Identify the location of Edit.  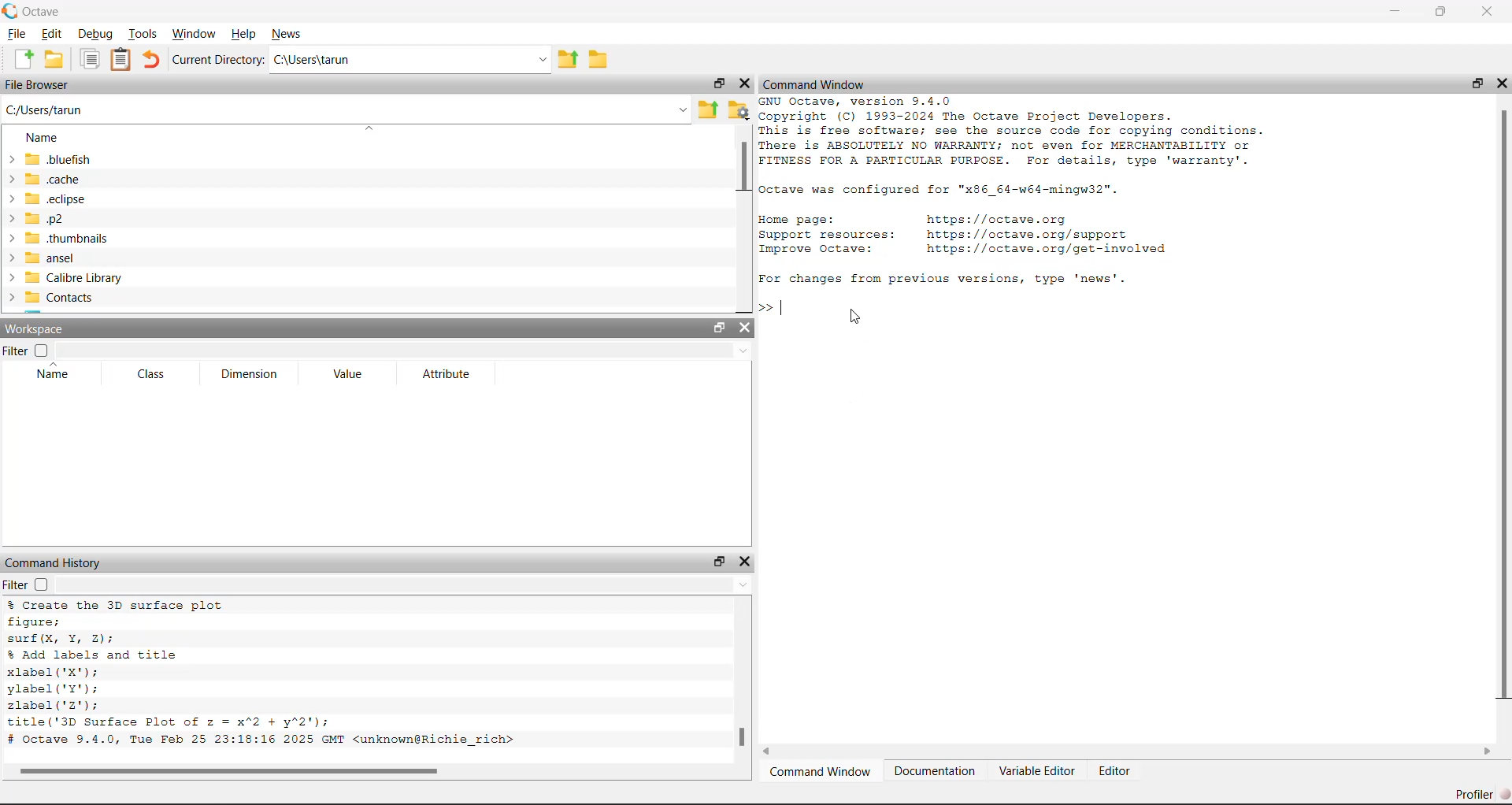
(49, 35).